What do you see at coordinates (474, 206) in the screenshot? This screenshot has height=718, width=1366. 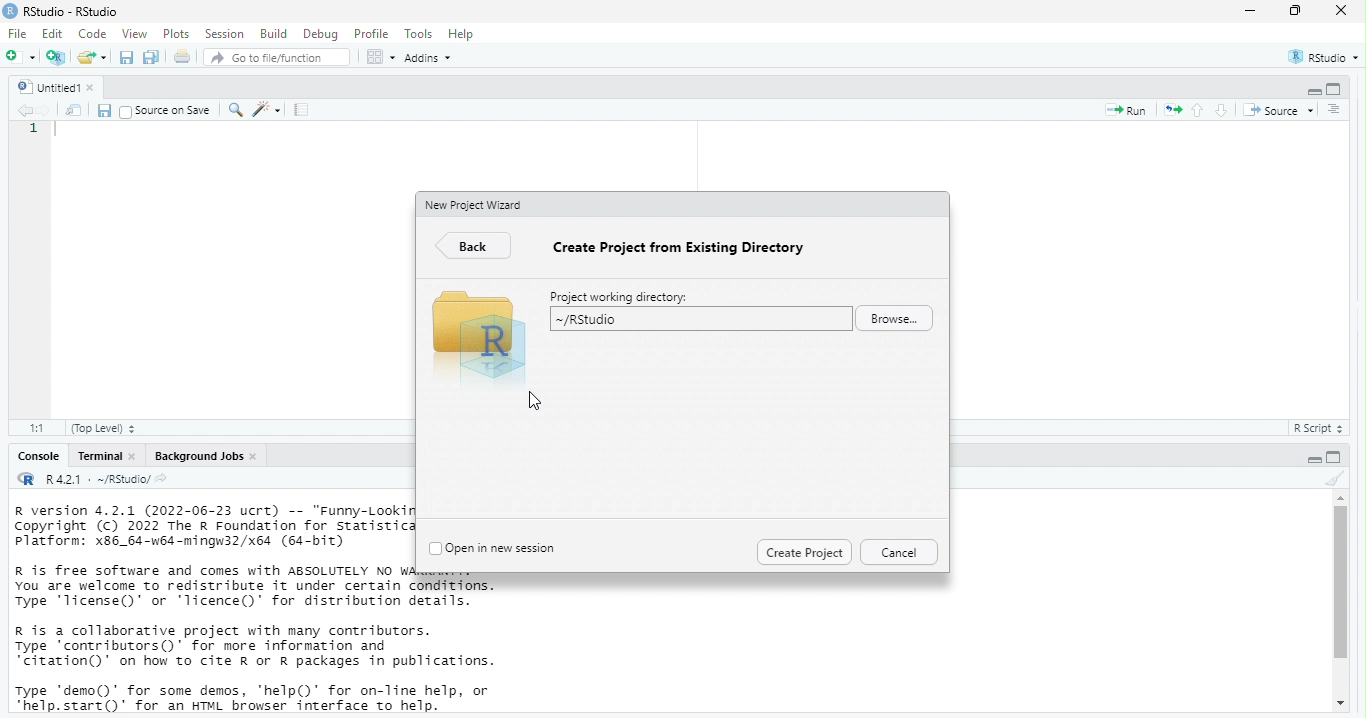 I see `New project wizard` at bounding box center [474, 206].